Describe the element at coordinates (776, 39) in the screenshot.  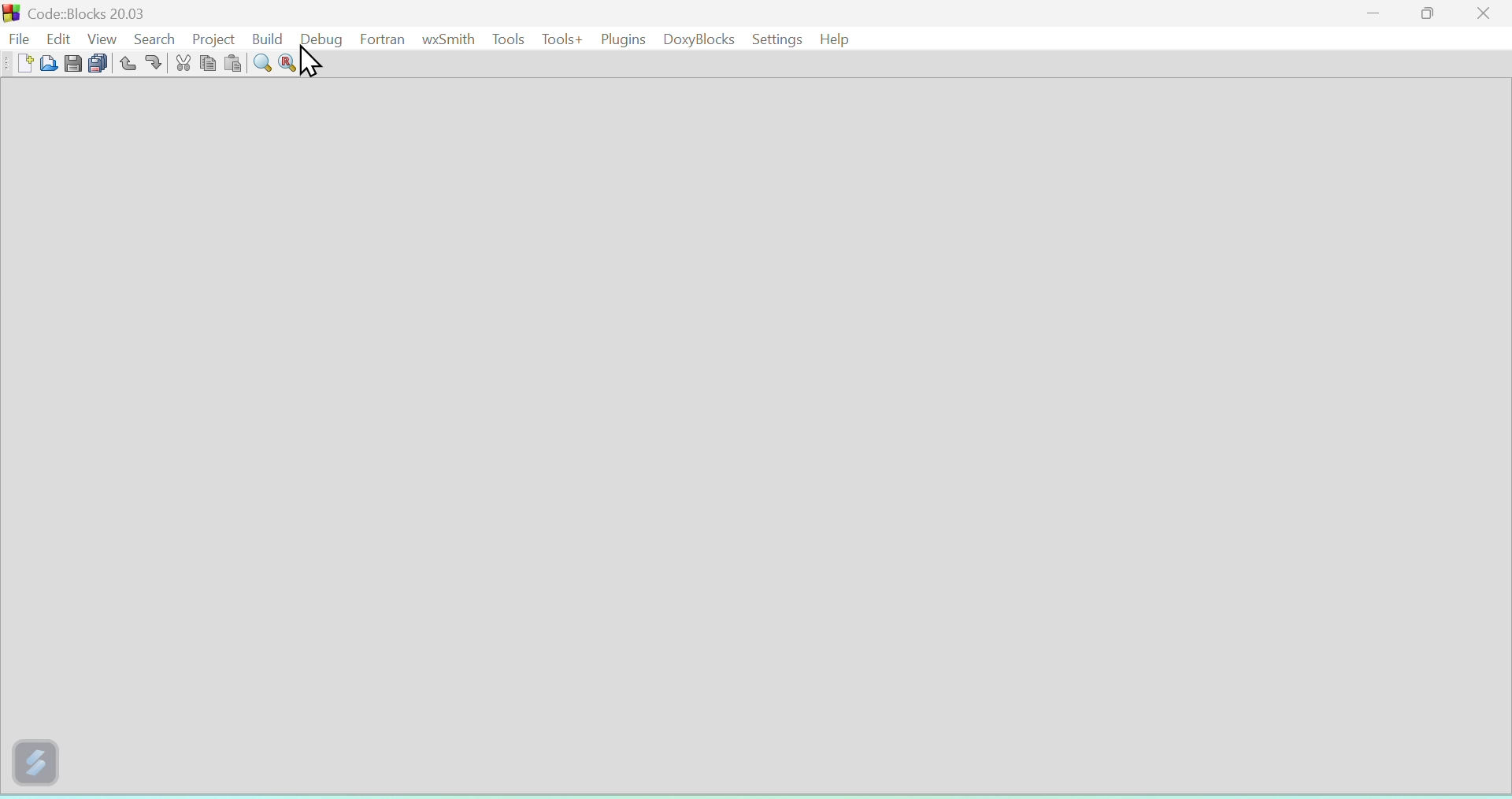
I see `settings` at that location.